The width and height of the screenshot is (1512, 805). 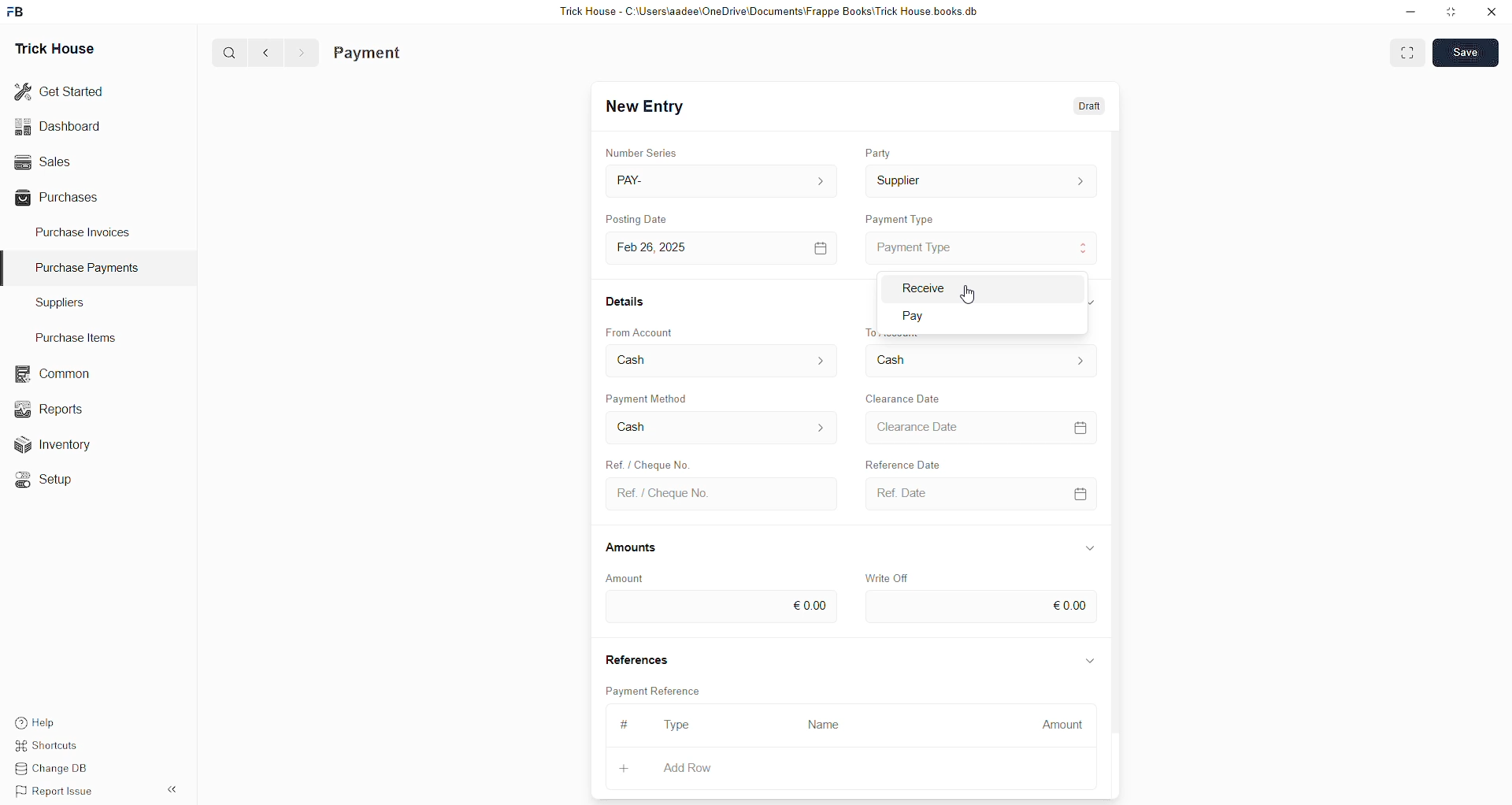 I want to click on Party, so click(x=880, y=154).